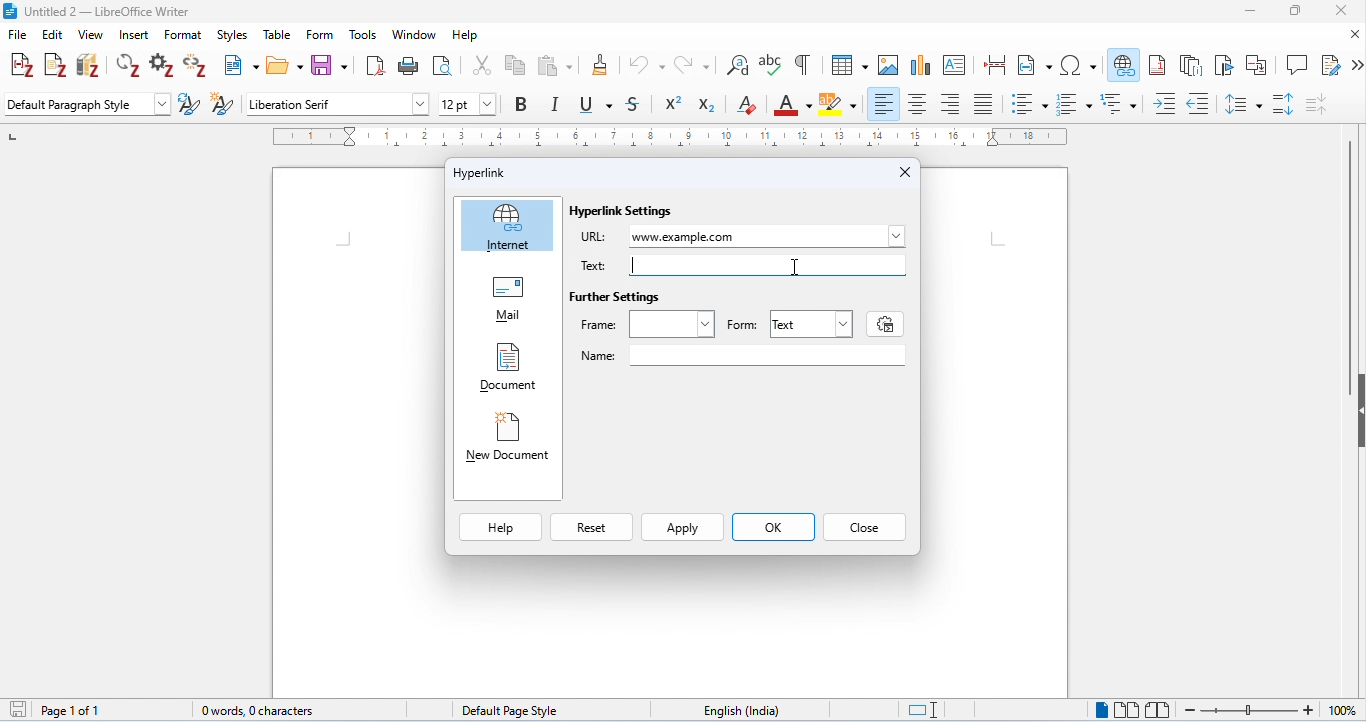 The width and height of the screenshot is (1366, 722). Describe the element at coordinates (508, 295) in the screenshot. I see `Mail` at that location.